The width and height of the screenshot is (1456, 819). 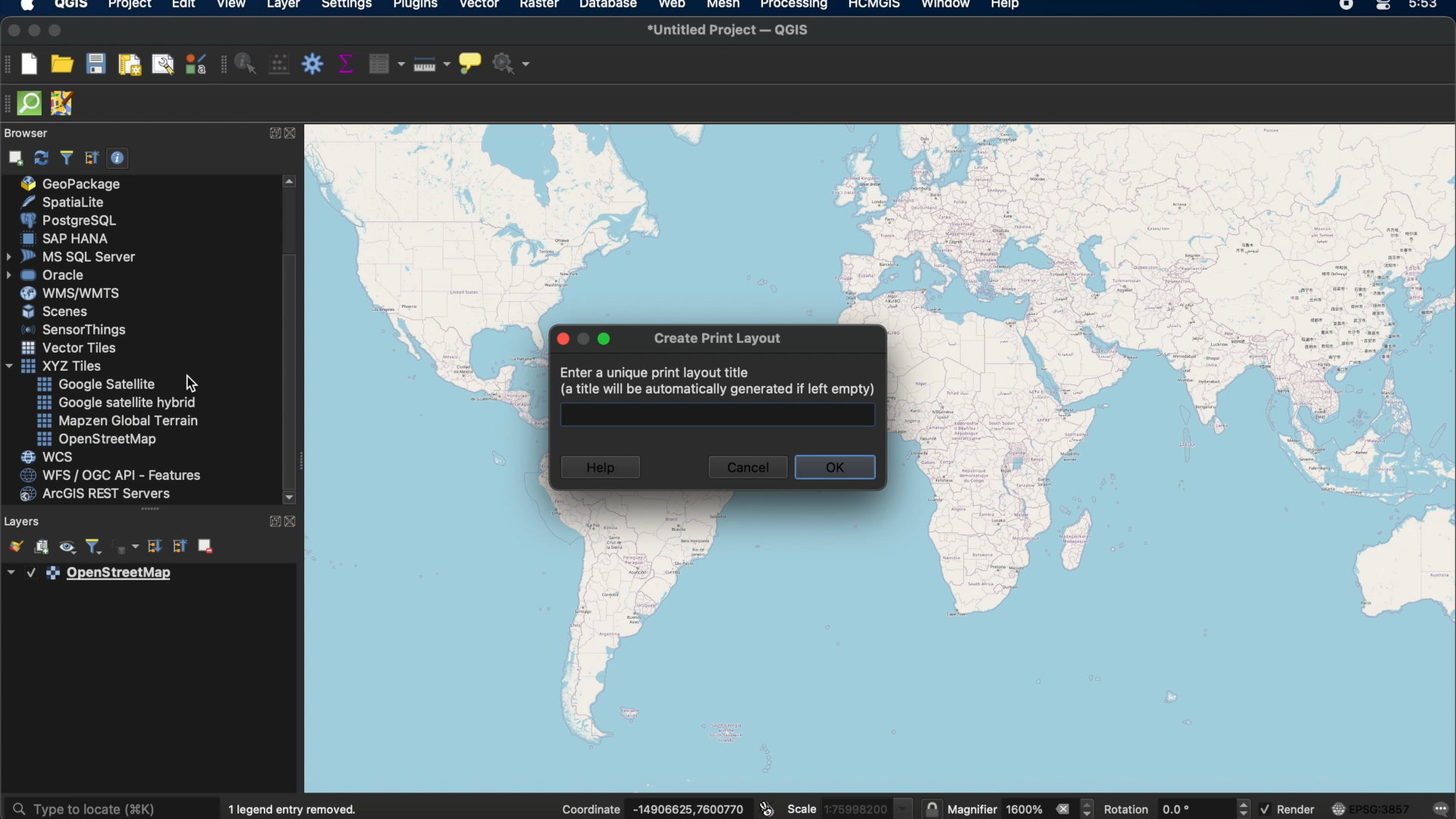 What do you see at coordinates (716, 415) in the screenshot?
I see `text box` at bounding box center [716, 415].